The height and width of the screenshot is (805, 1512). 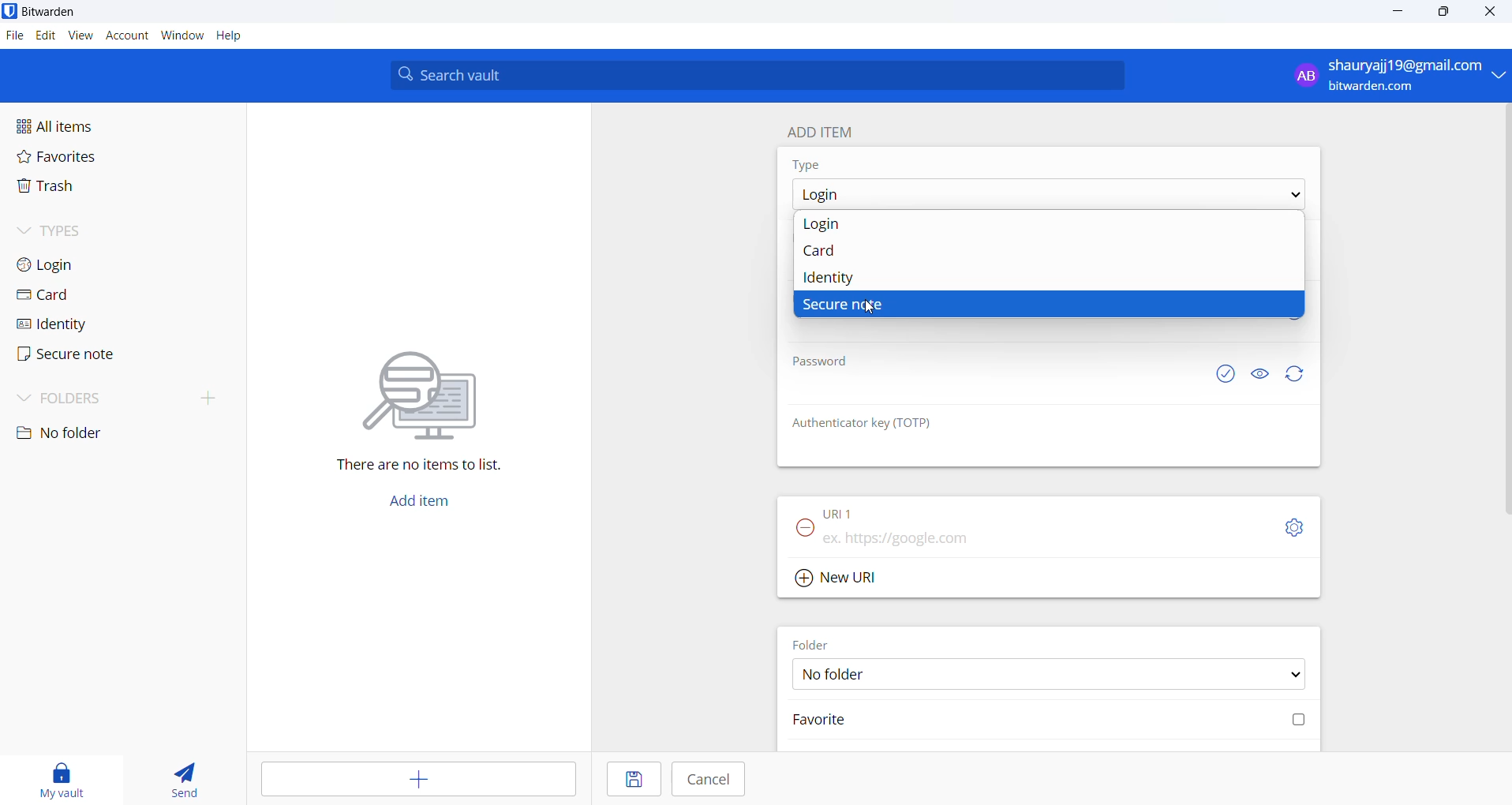 I want to click on identity, so click(x=1040, y=276).